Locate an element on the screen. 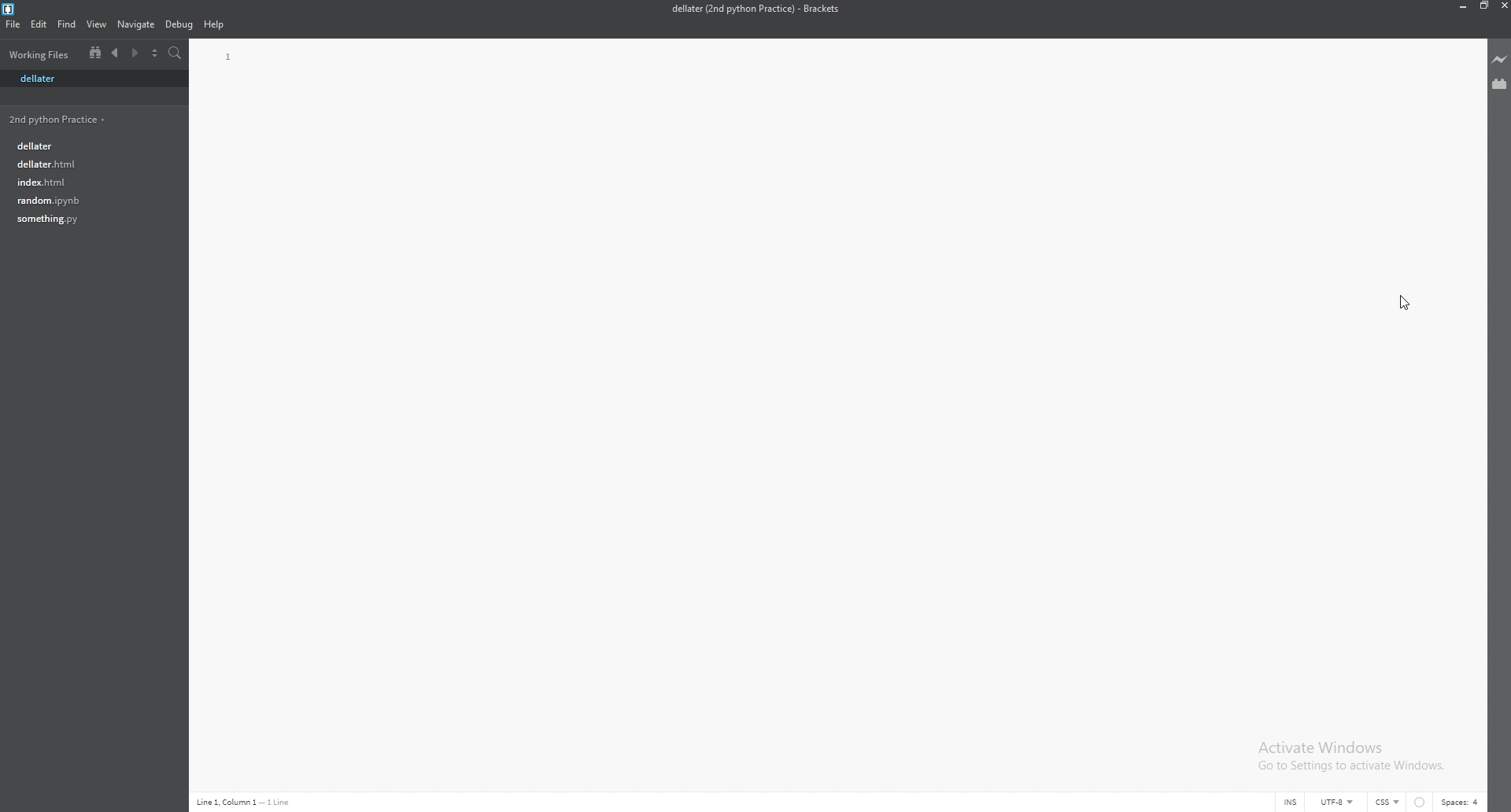 The height and width of the screenshot is (812, 1511). search is located at coordinates (176, 54).